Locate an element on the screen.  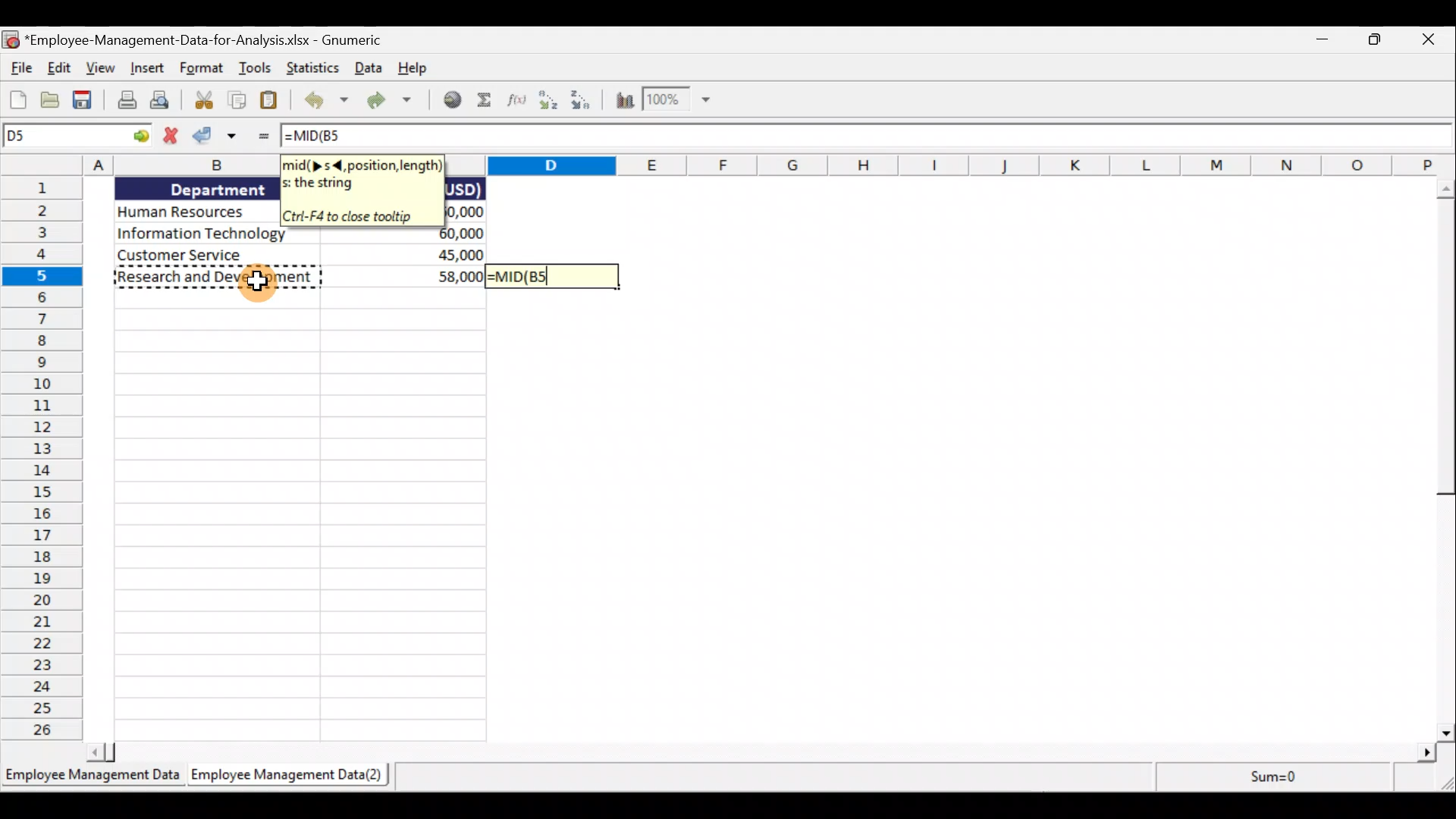
=MID(B5 is located at coordinates (559, 276).